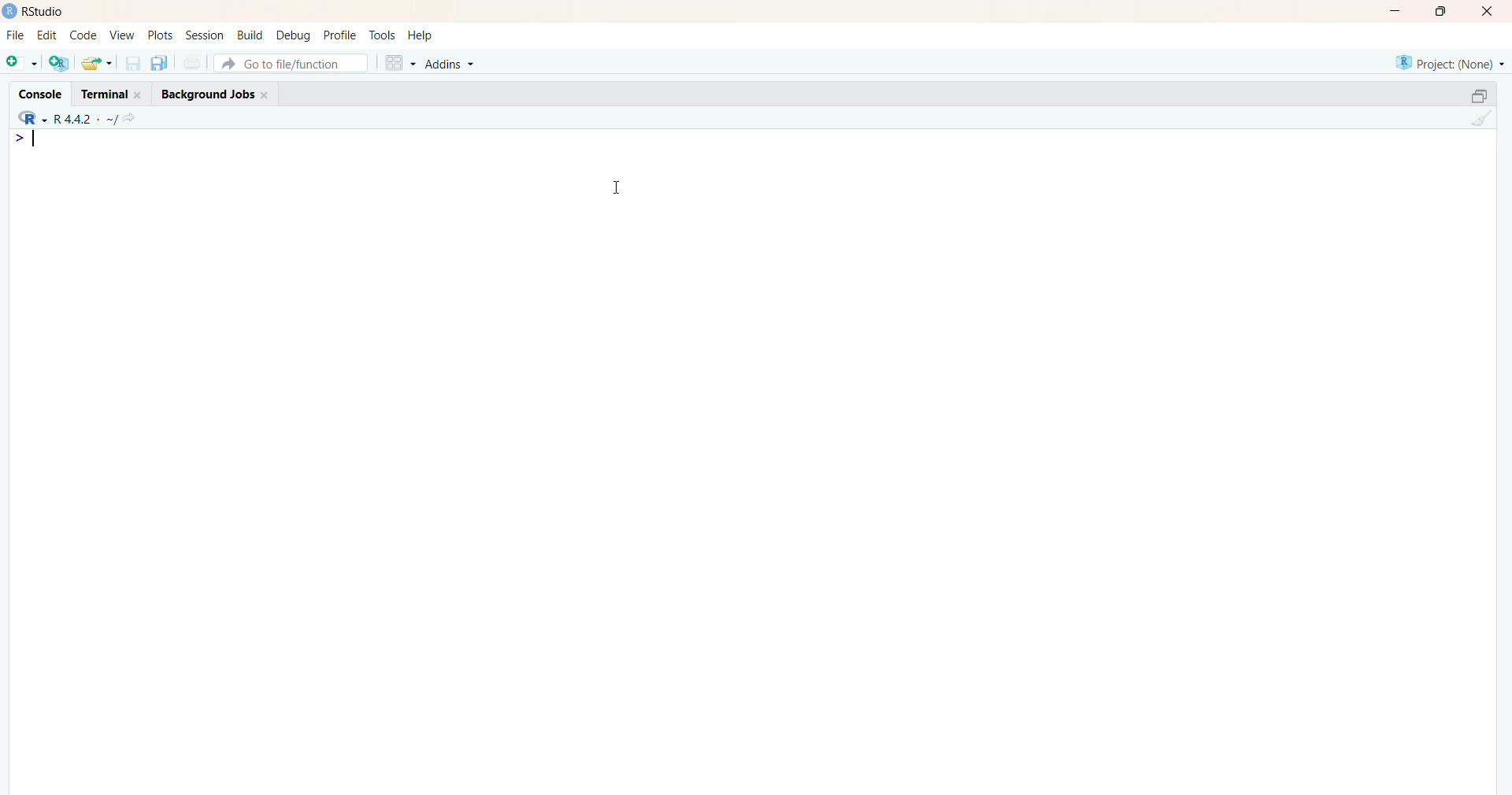 The image size is (1512, 795). Describe the element at coordinates (1392, 11) in the screenshot. I see `minimize` at that location.